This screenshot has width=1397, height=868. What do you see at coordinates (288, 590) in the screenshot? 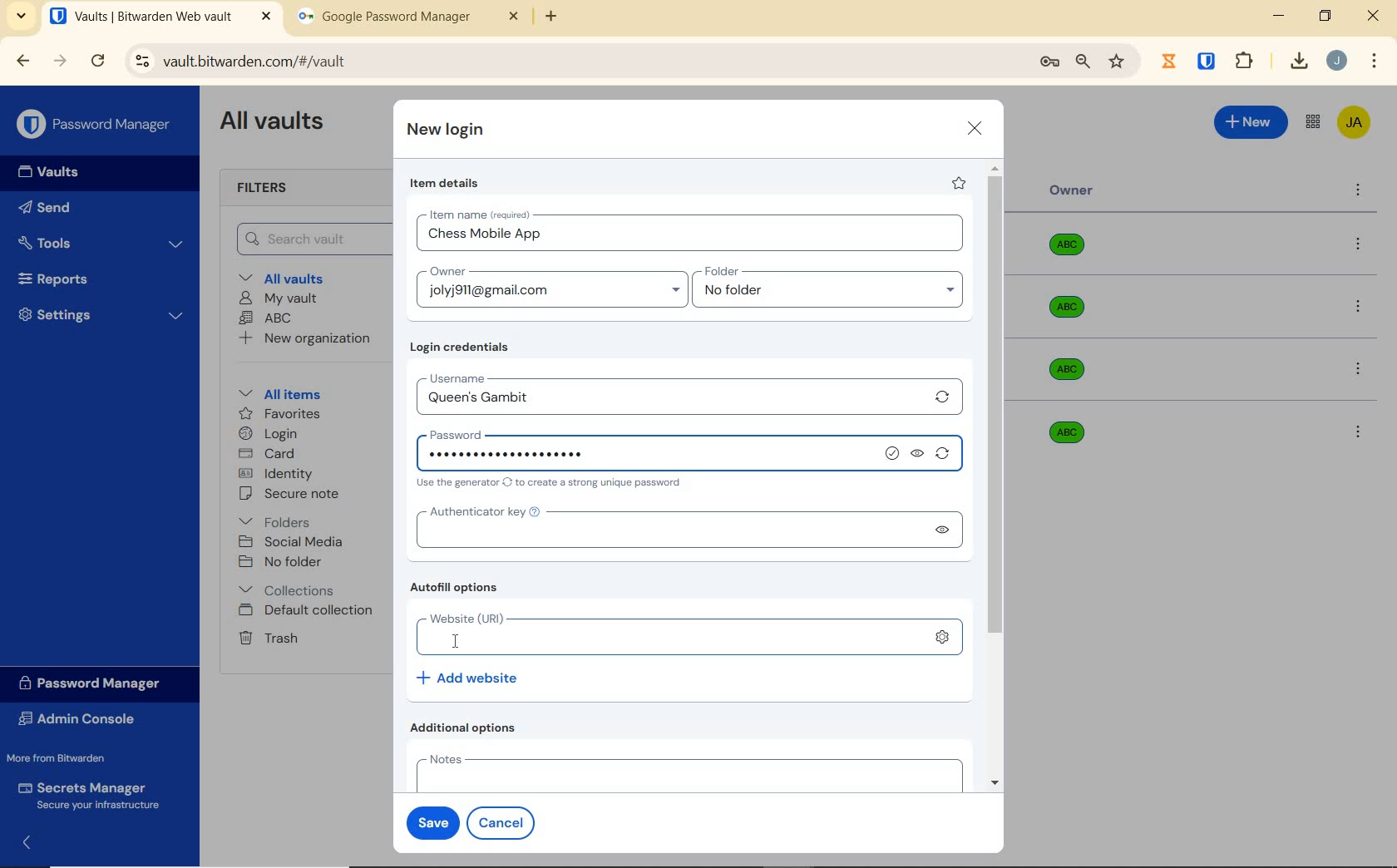
I see `collection` at bounding box center [288, 590].